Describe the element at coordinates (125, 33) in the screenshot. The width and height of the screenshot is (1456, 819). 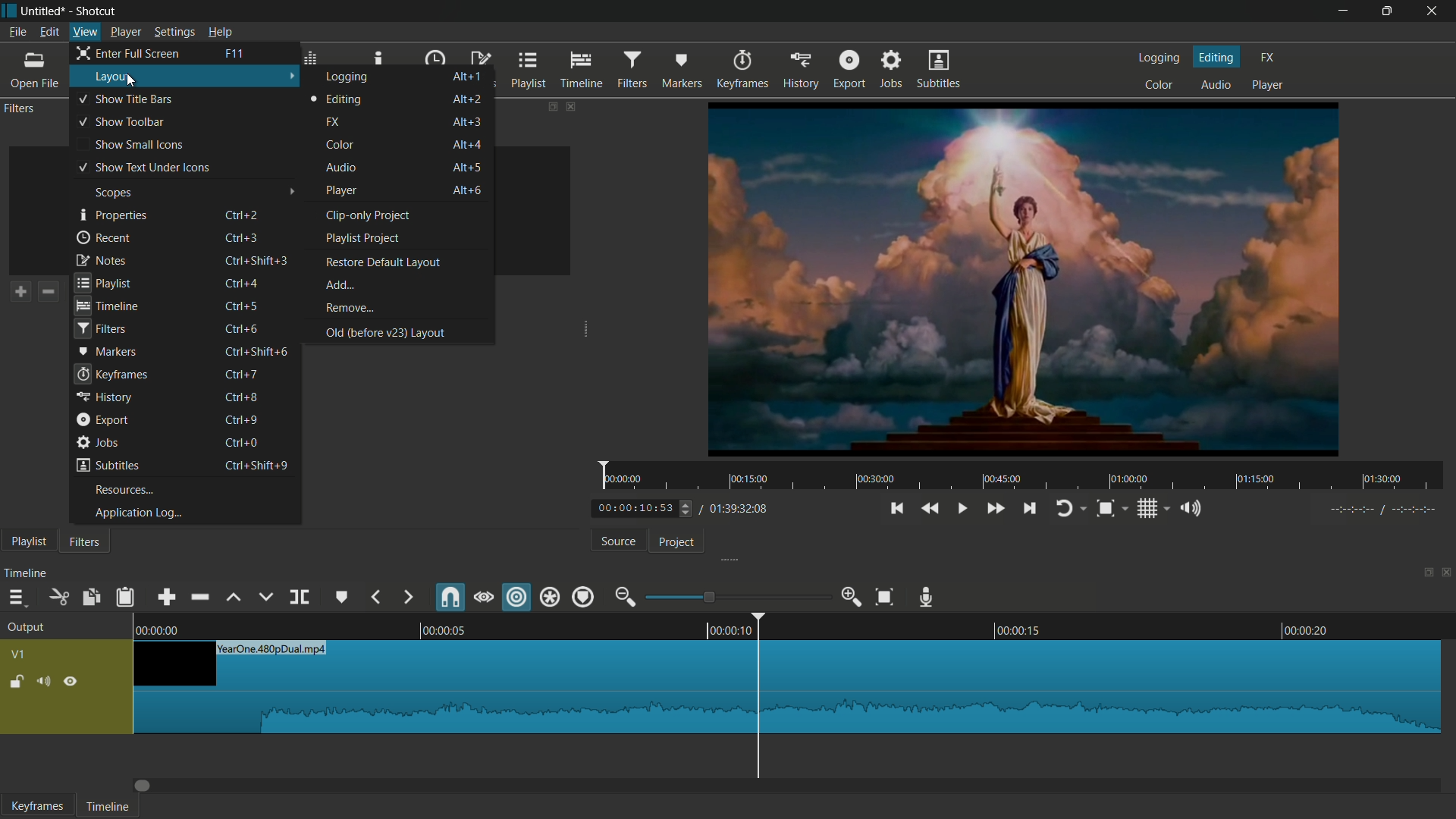
I see `player menu` at that location.